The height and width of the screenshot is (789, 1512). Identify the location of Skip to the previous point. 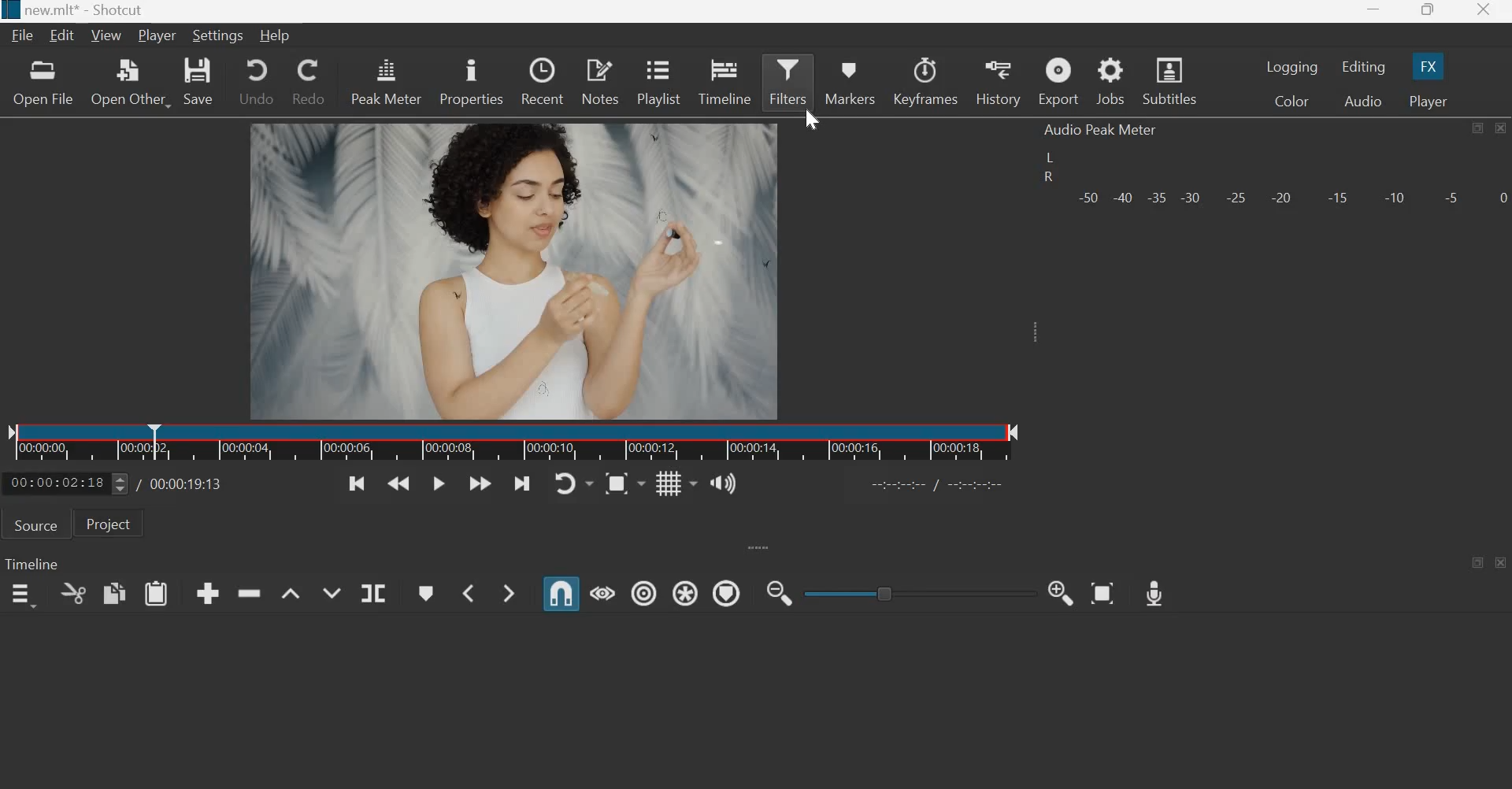
(360, 483).